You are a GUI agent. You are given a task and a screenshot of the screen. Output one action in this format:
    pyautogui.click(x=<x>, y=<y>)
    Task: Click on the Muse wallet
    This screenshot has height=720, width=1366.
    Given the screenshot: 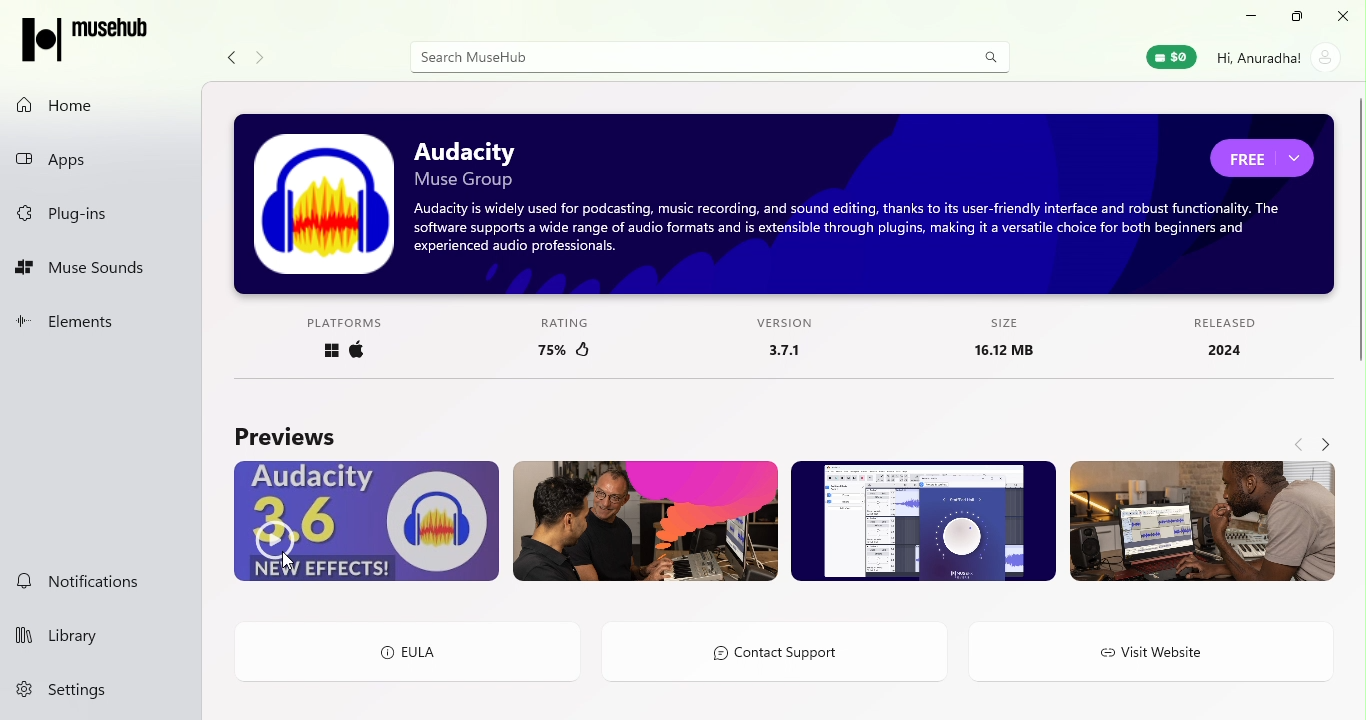 What is the action you would take?
    pyautogui.click(x=1168, y=58)
    